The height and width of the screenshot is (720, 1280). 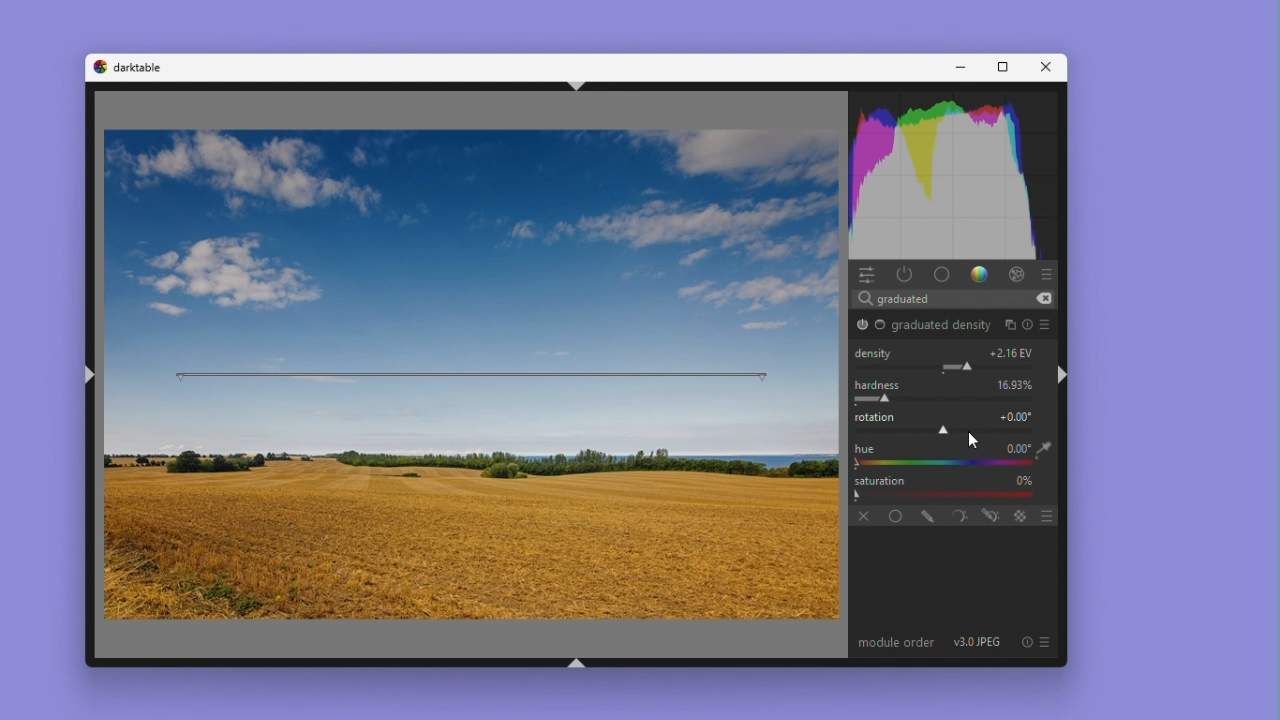 What do you see at coordinates (940, 495) in the screenshot?
I see `Gradient Bar` at bounding box center [940, 495].